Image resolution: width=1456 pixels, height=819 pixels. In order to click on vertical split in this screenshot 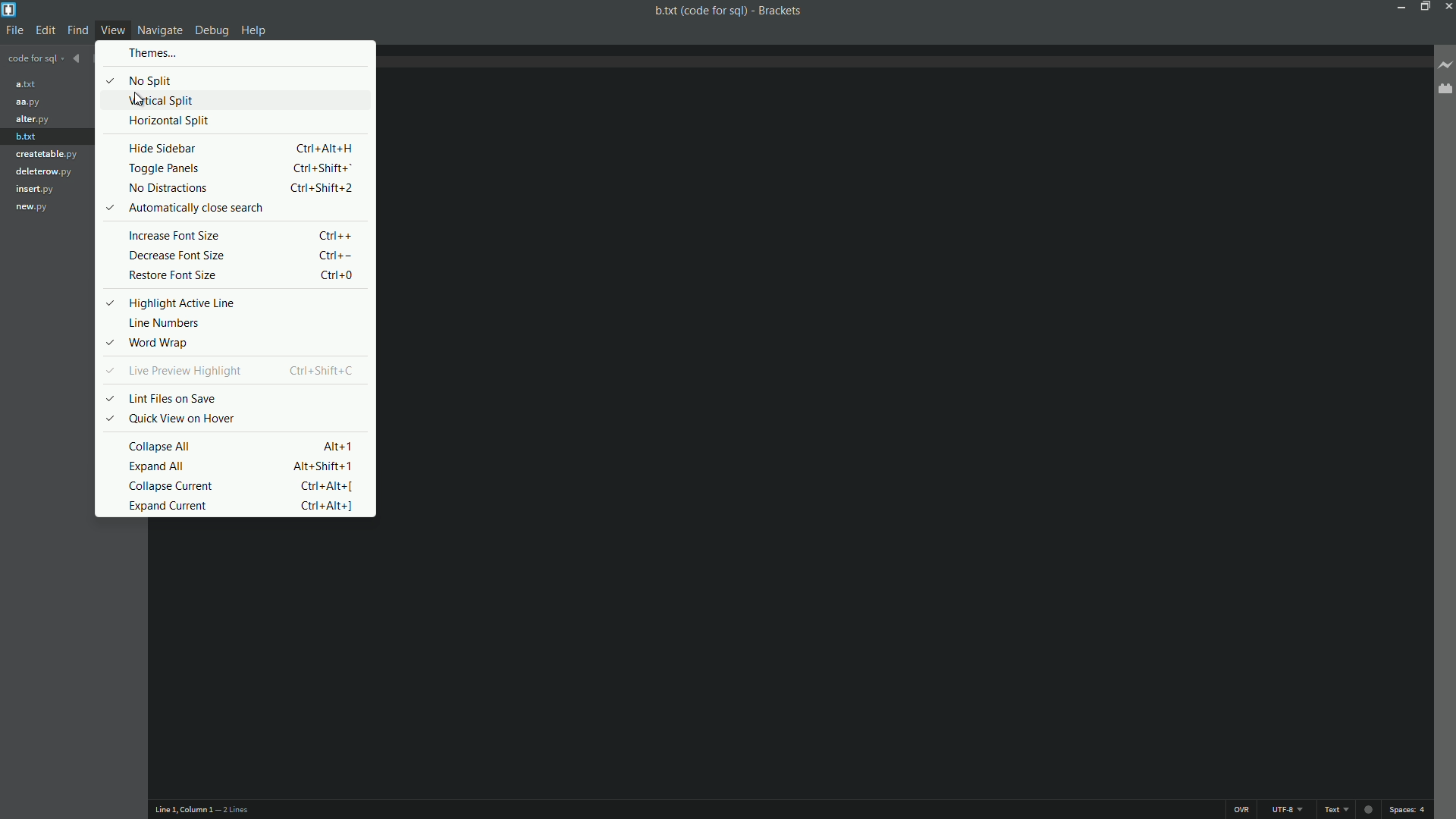, I will do `click(238, 101)`.